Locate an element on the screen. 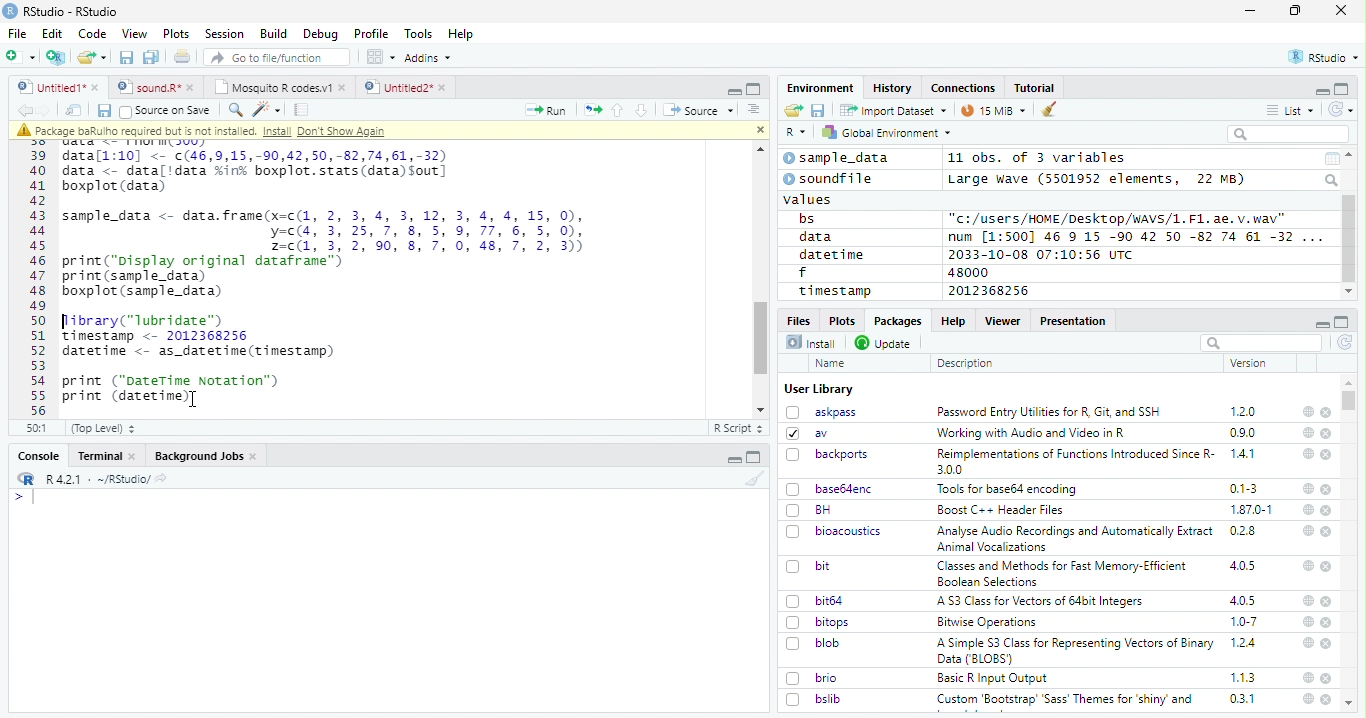  Custom ‘Bootstrap’ ‘Sass’ Themes for ‘shiny’ and is located at coordinates (1065, 702).